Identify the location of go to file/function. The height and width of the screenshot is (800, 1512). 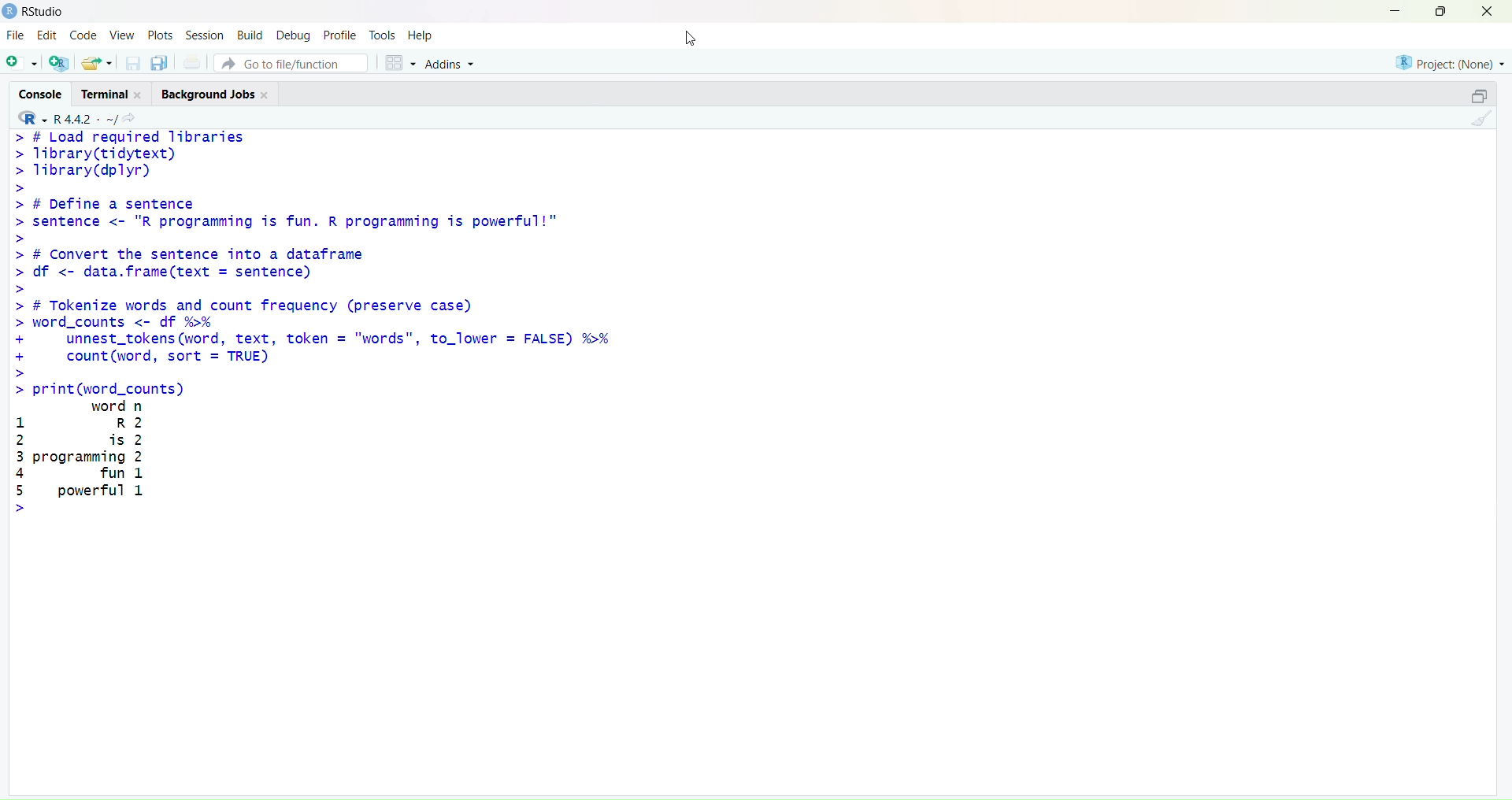
(291, 64).